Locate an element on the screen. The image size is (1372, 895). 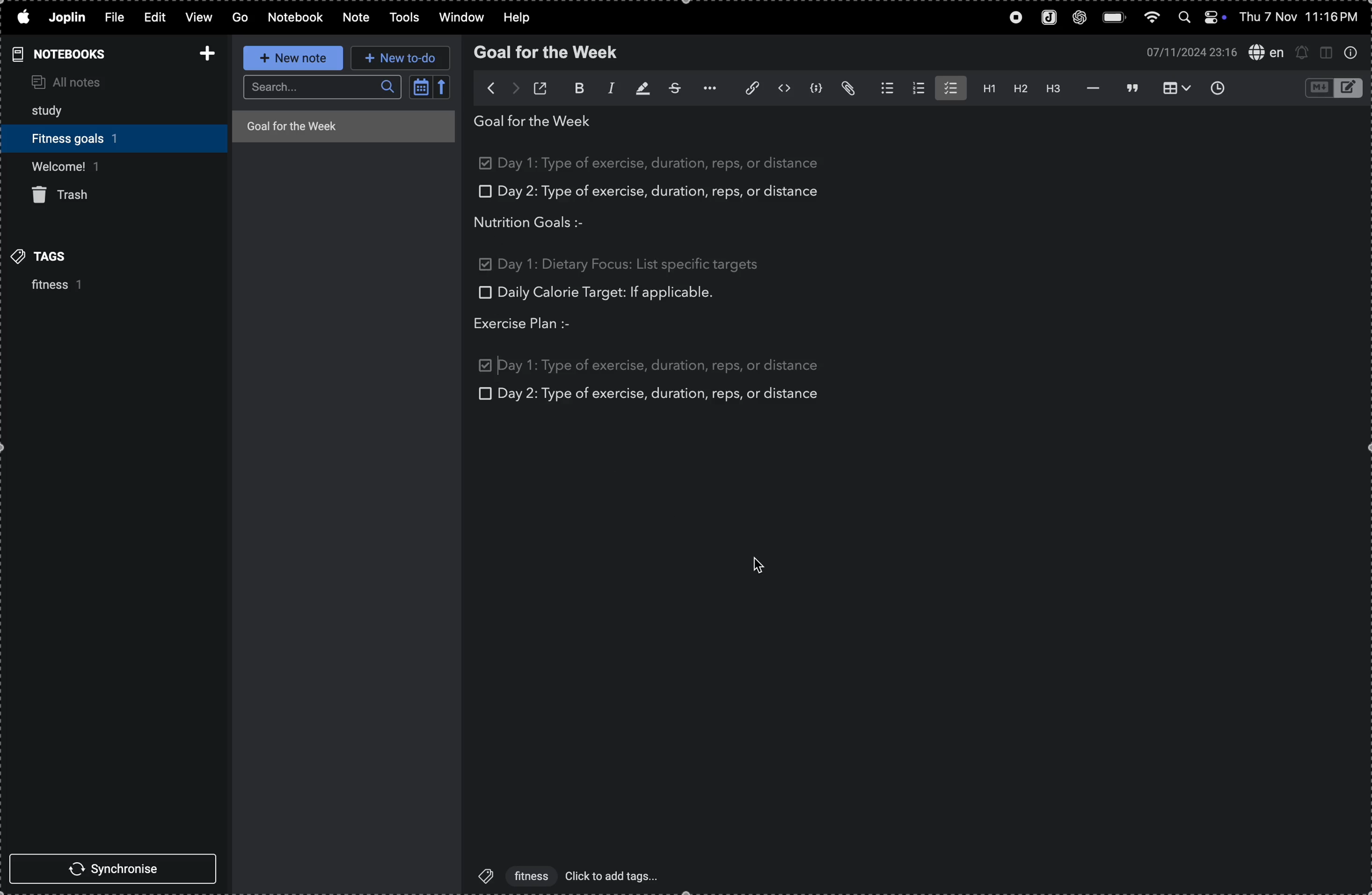
nutrition goals :- is located at coordinates (540, 222).